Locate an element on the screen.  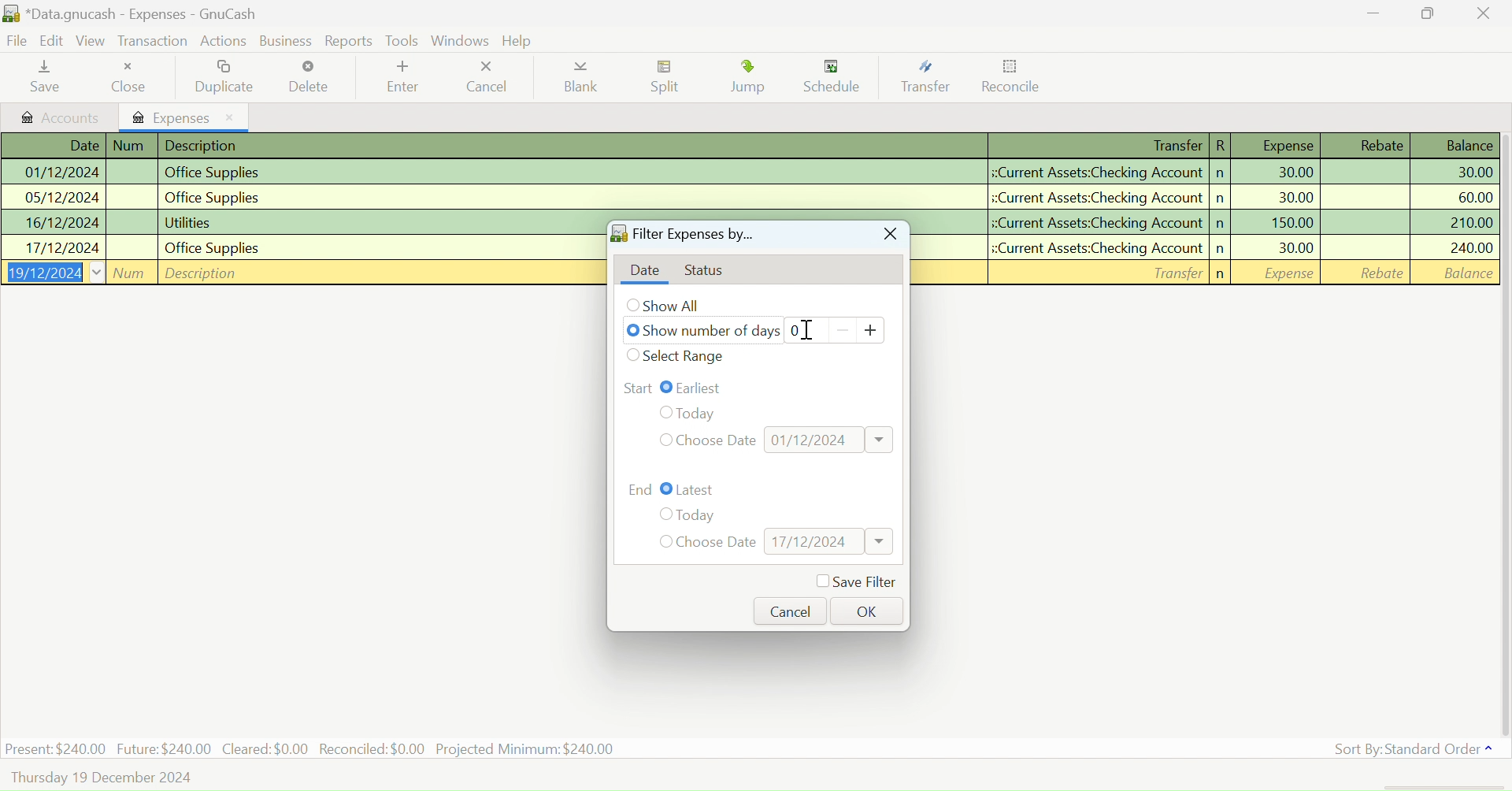
Earliest is located at coordinates (705, 387).